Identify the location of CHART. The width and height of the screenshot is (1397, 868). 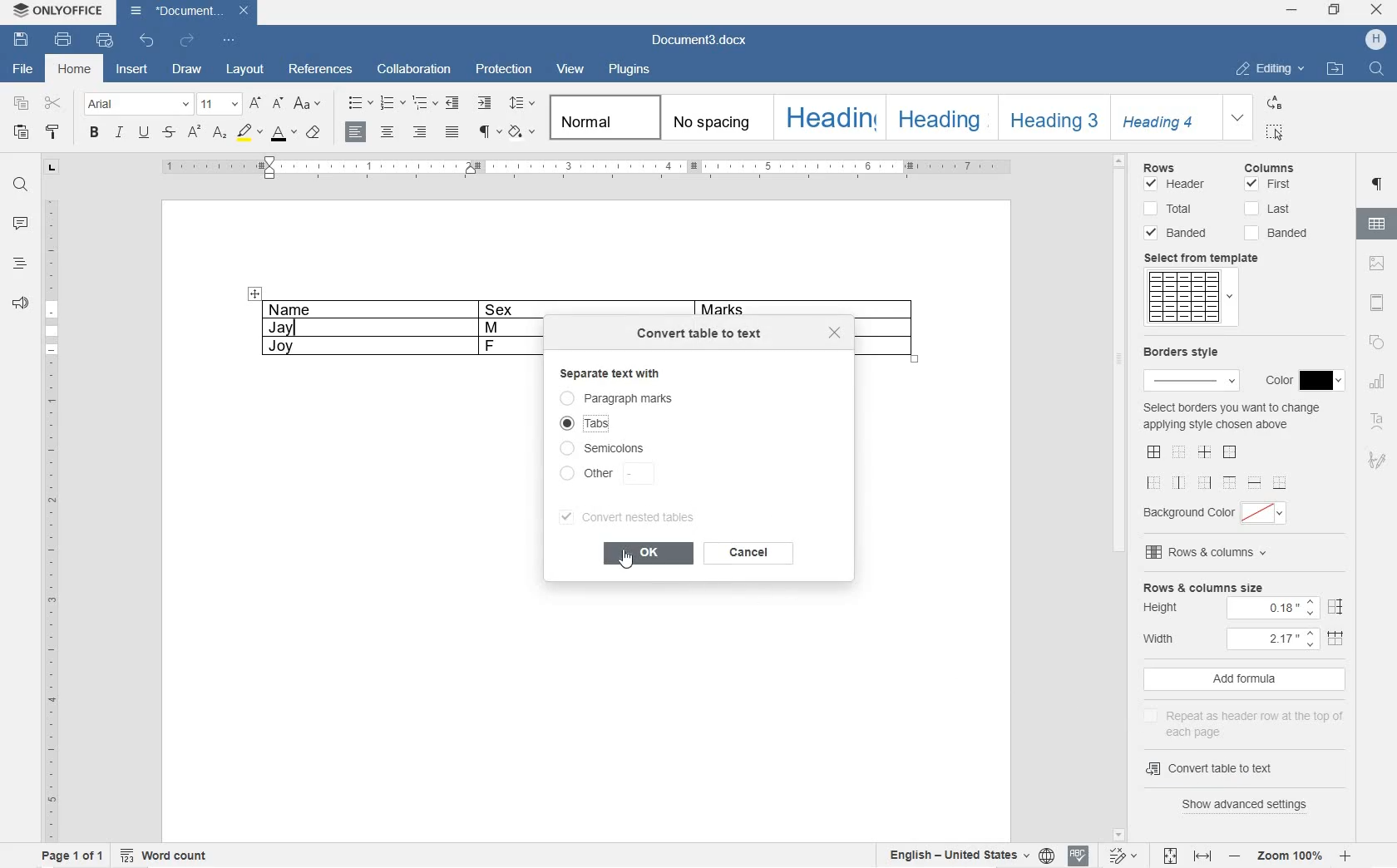
(1377, 384).